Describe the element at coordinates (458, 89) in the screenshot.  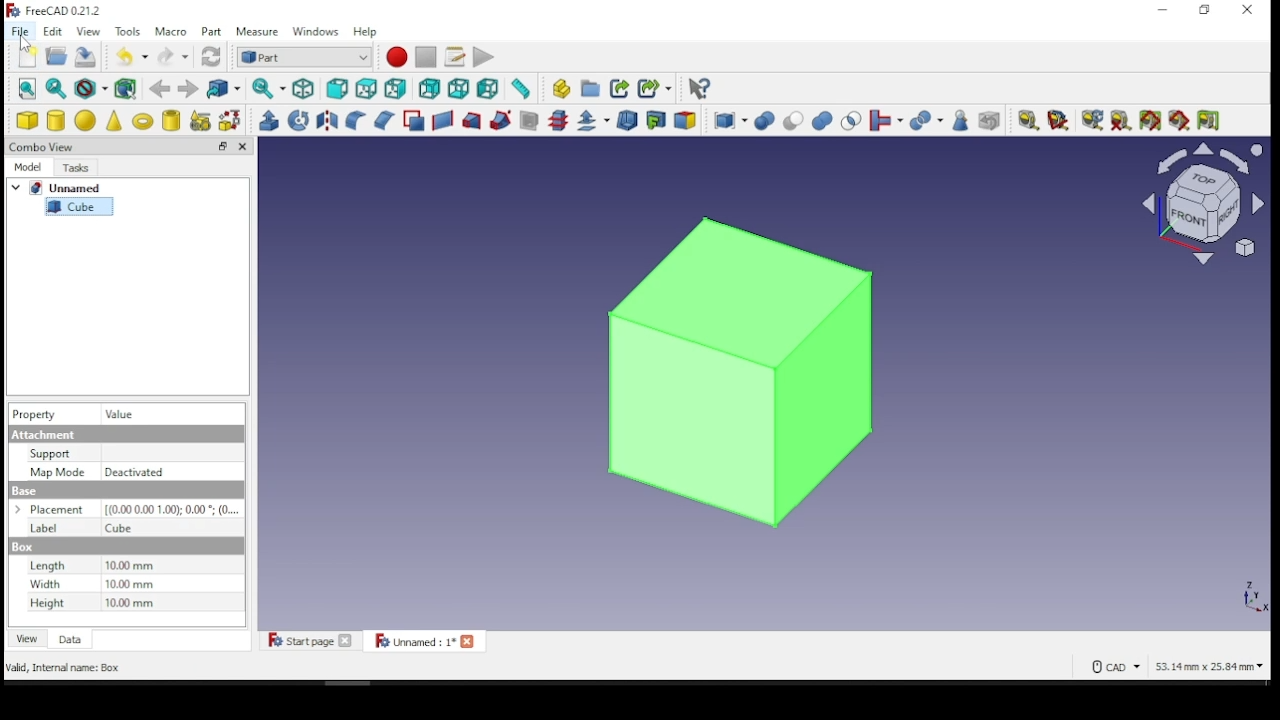
I see `bottom` at that location.